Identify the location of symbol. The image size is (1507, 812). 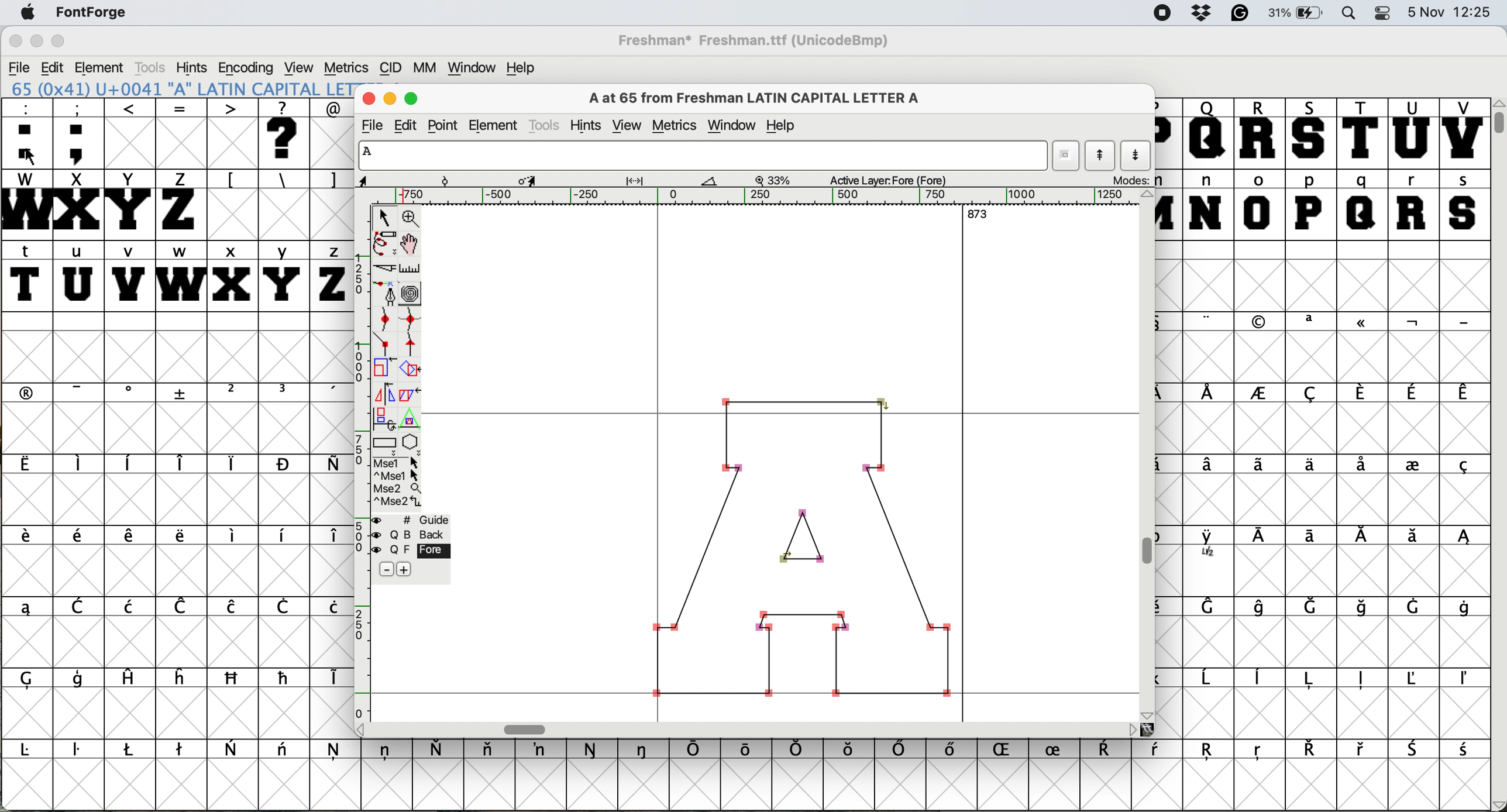
(181, 677).